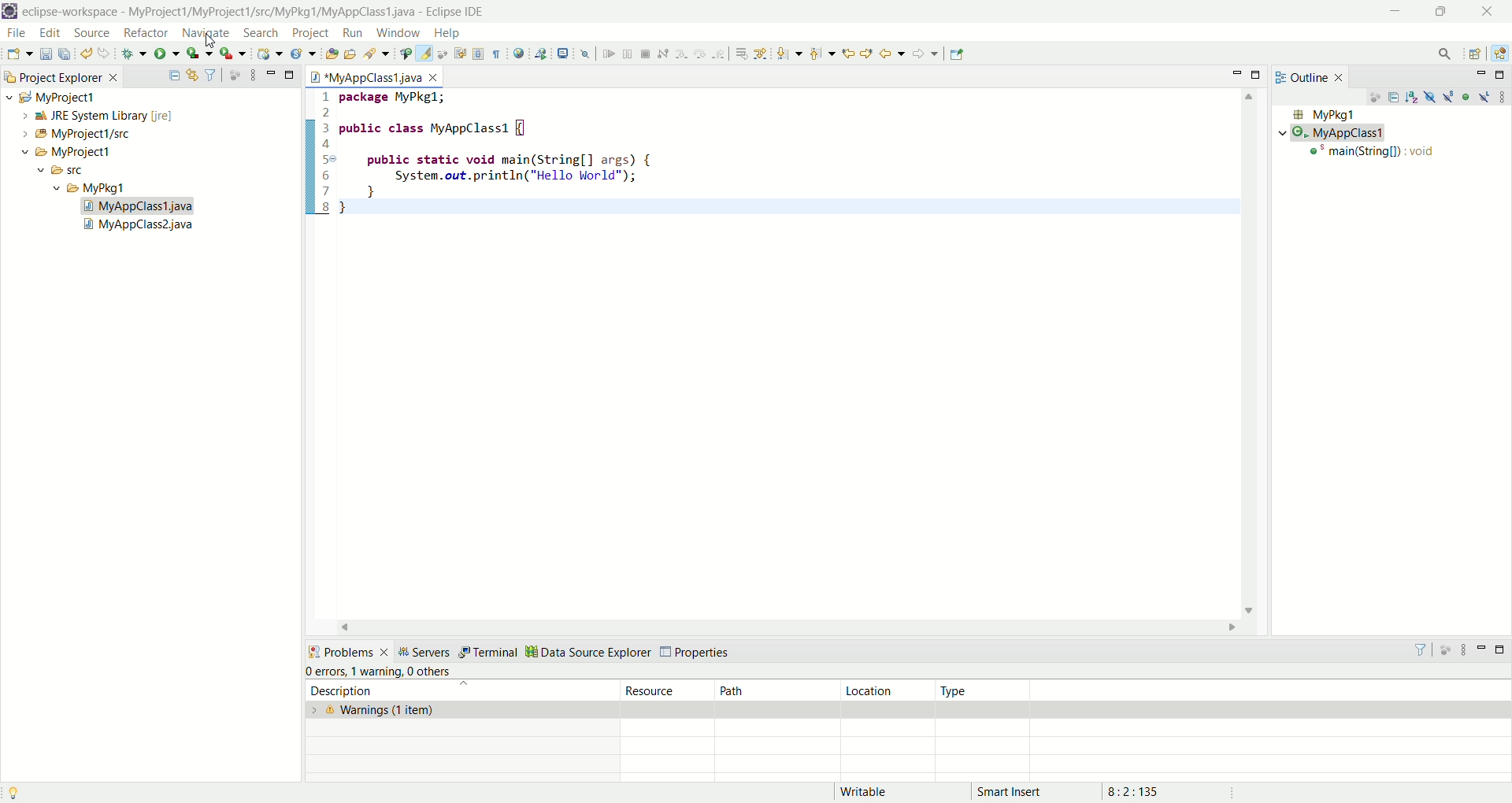 The image size is (1512, 803). Describe the element at coordinates (213, 76) in the screenshot. I see `filter` at that location.